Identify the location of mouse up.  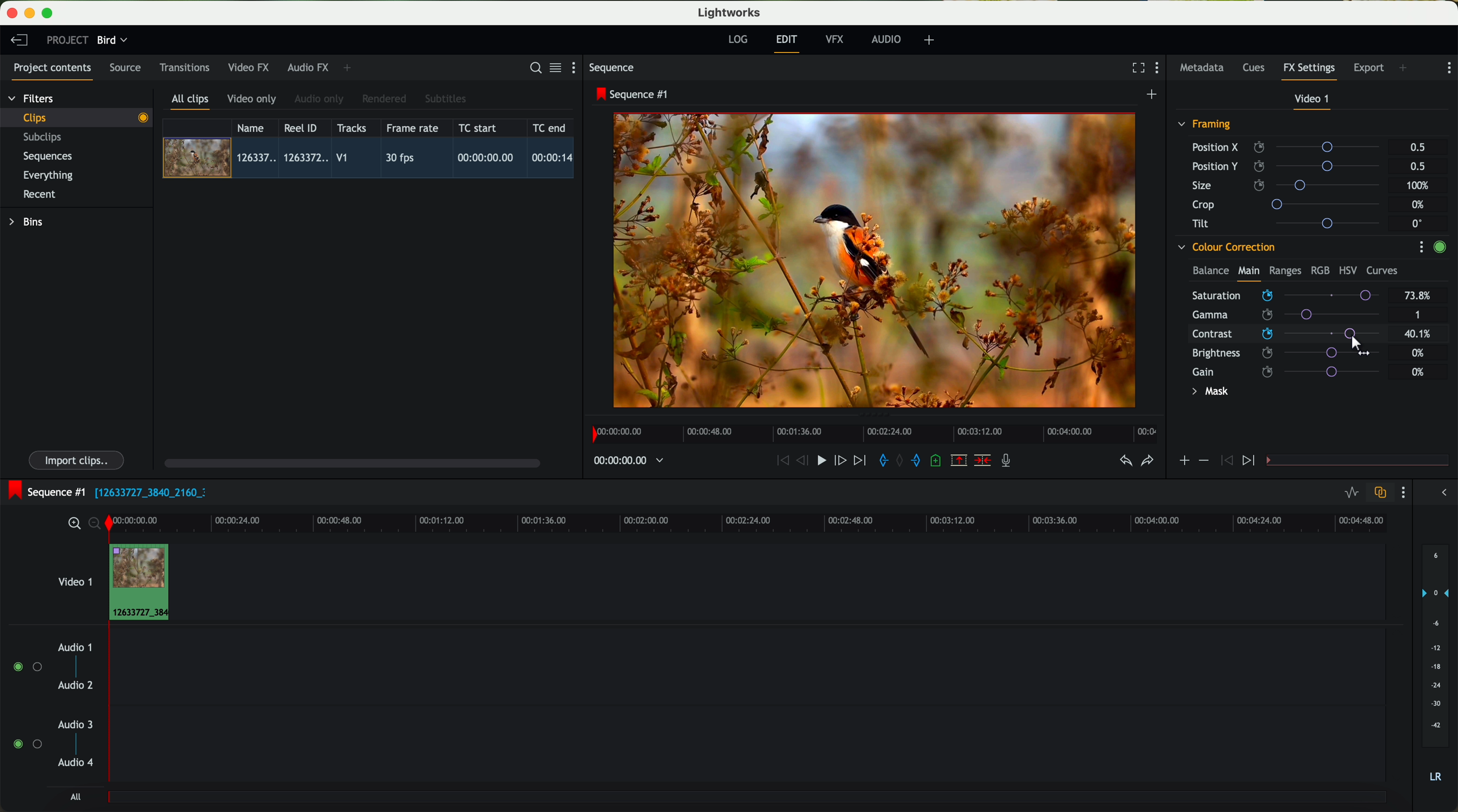
(1358, 345).